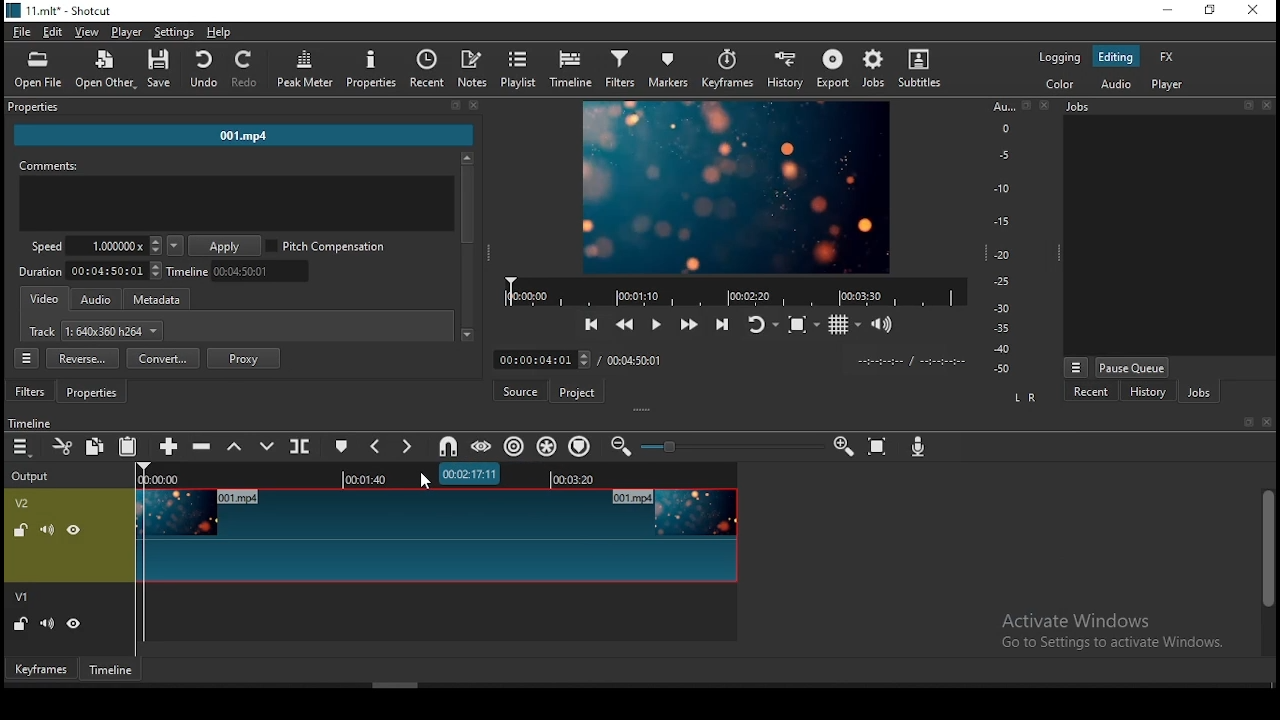  I want to click on CURRENT INPUT TIME, so click(541, 359).